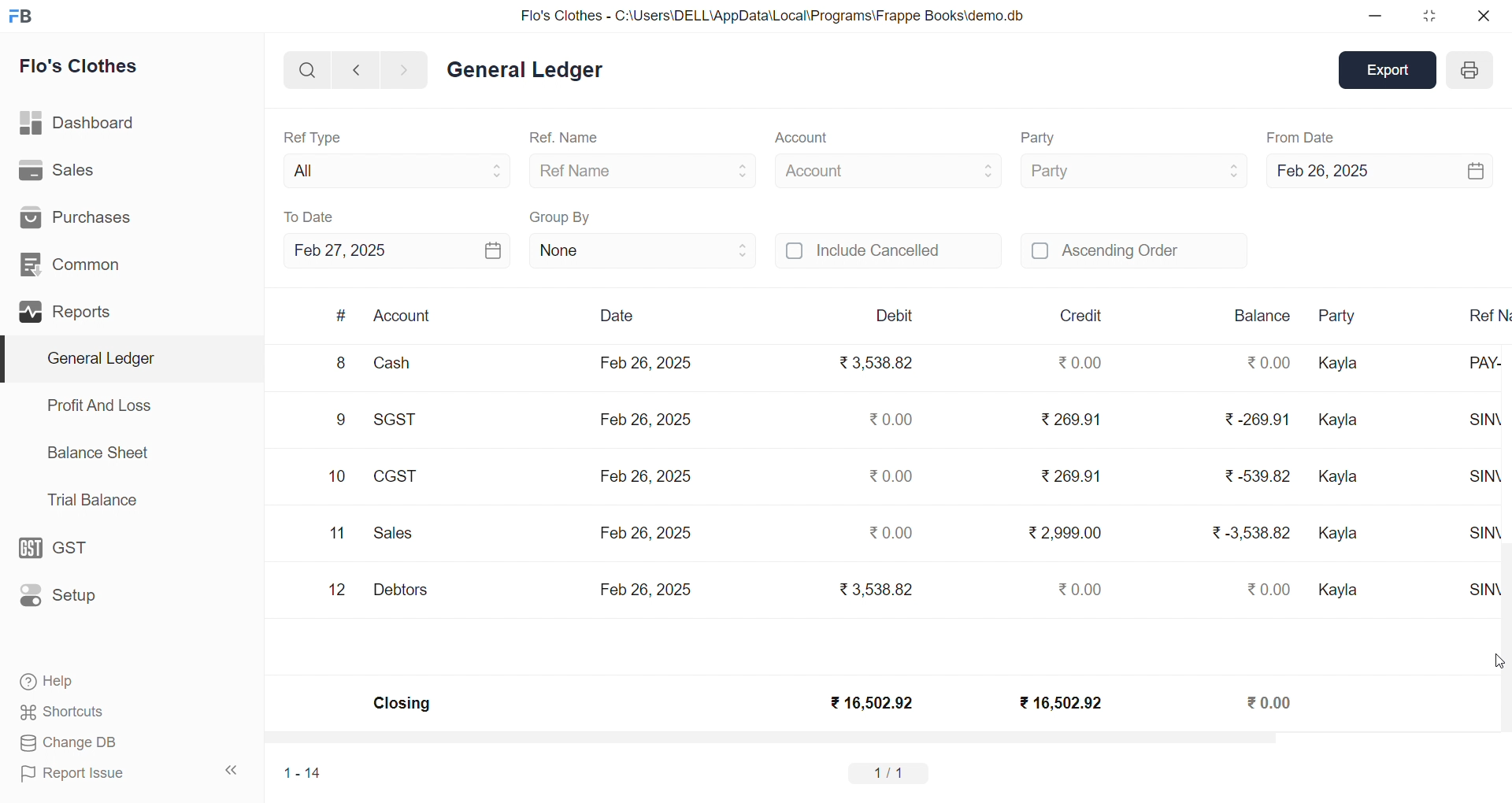  I want to click on Ref Name, so click(644, 170).